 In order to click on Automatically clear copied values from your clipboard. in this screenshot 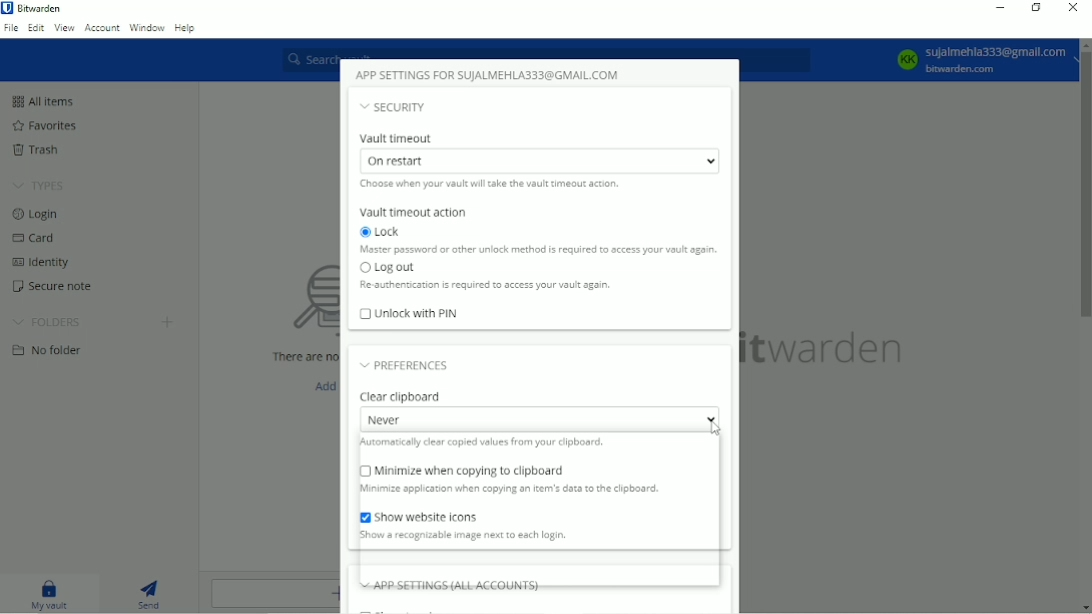, I will do `click(484, 443)`.